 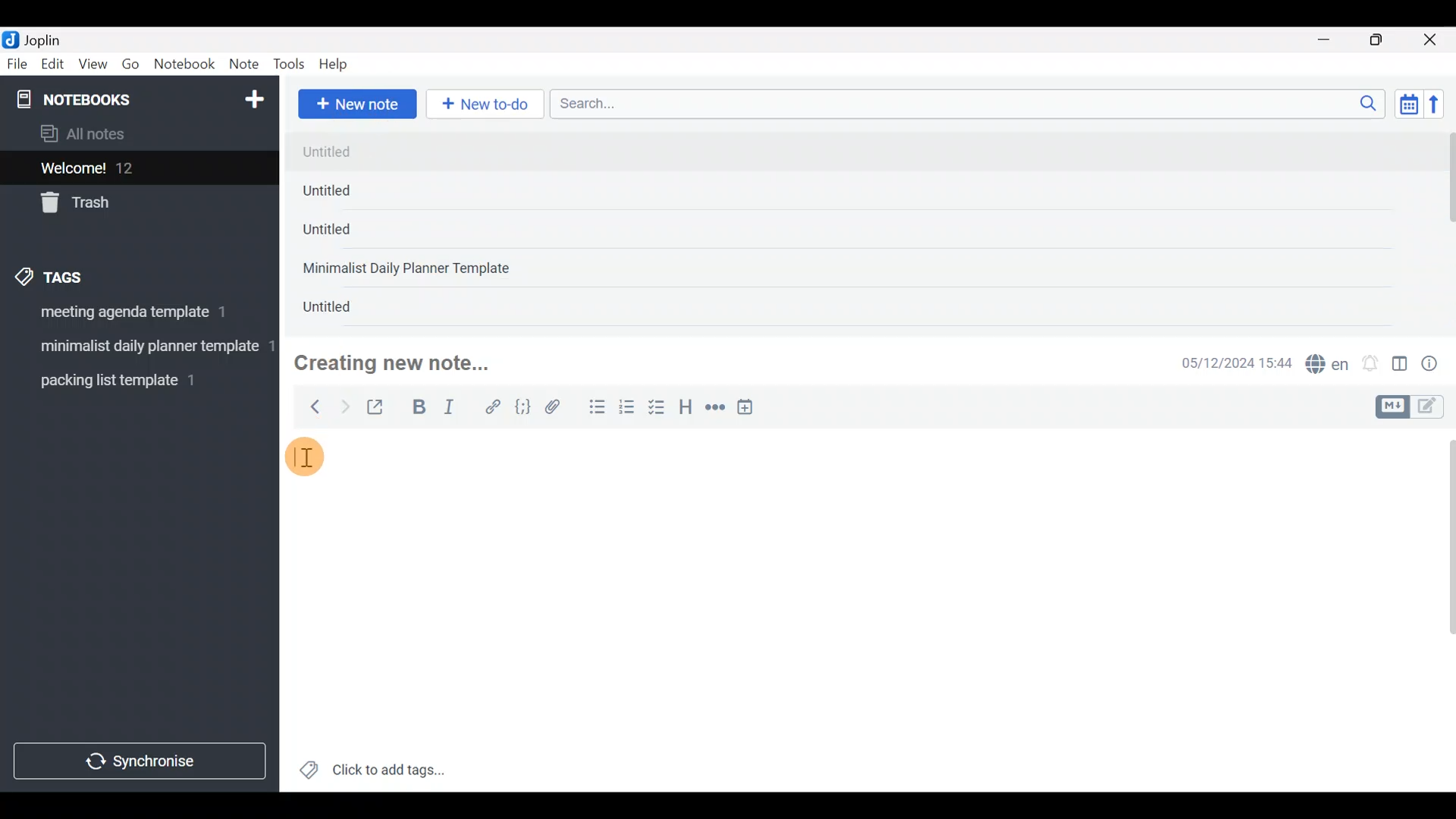 What do you see at coordinates (1332, 38) in the screenshot?
I see `Minimize` at bounding box center [1332, 38].